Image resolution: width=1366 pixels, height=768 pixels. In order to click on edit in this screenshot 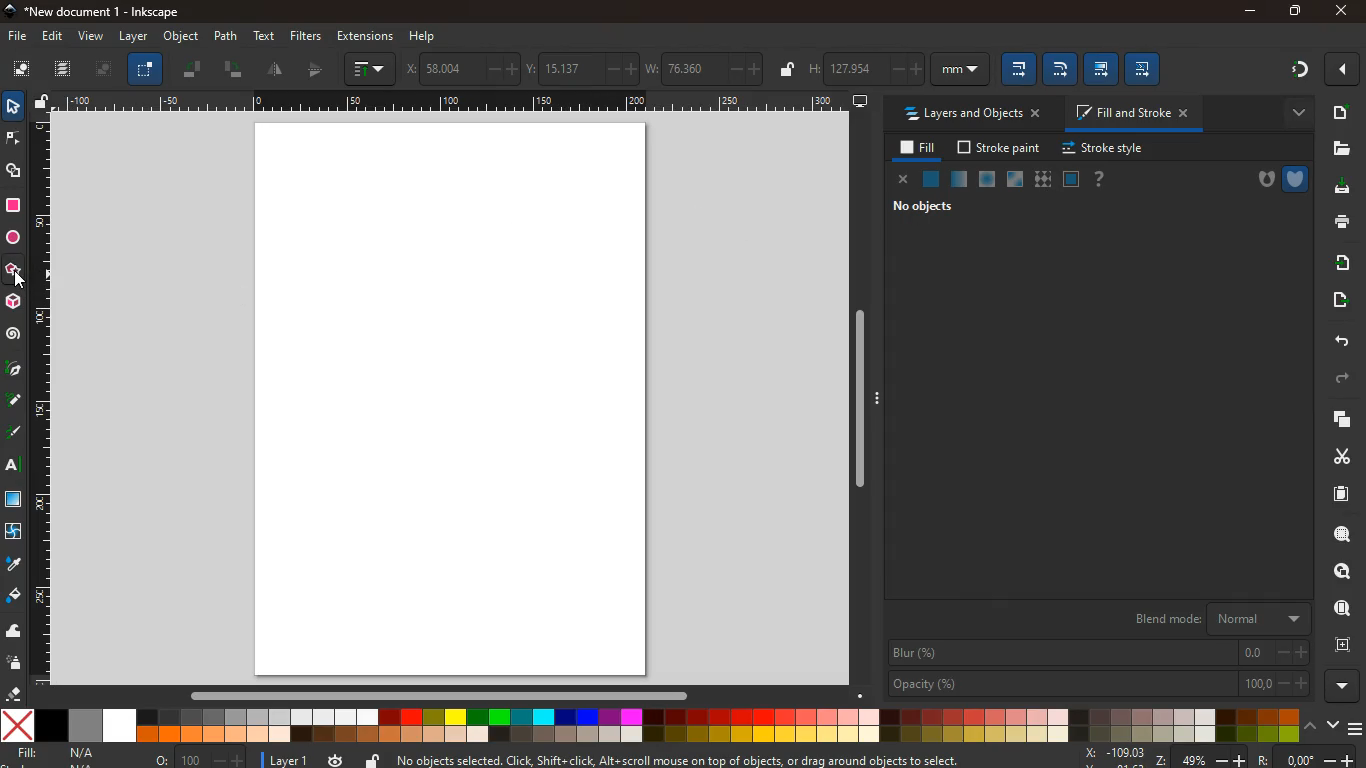, I will do `click(1019, 70)`.